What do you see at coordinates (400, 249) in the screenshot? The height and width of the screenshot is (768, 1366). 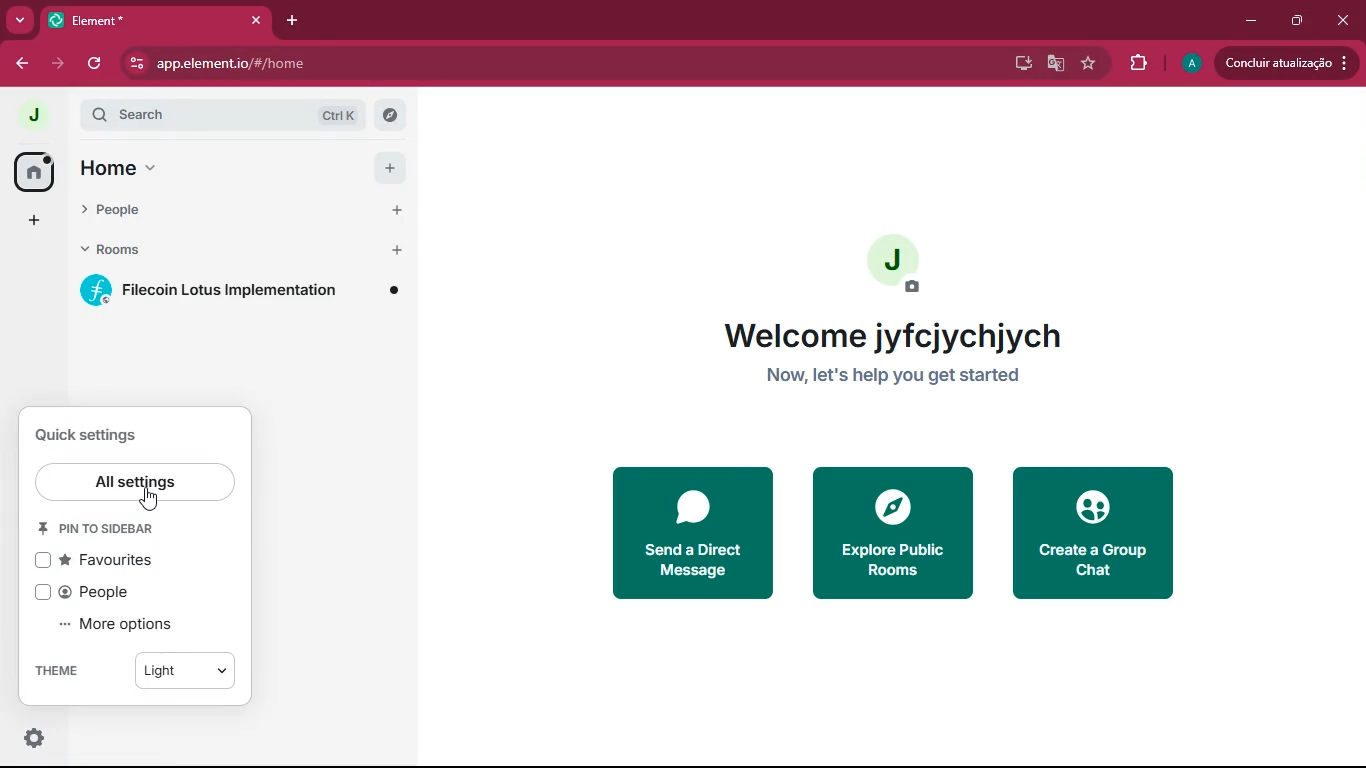 I see `add` at bounding box center [400, 249].